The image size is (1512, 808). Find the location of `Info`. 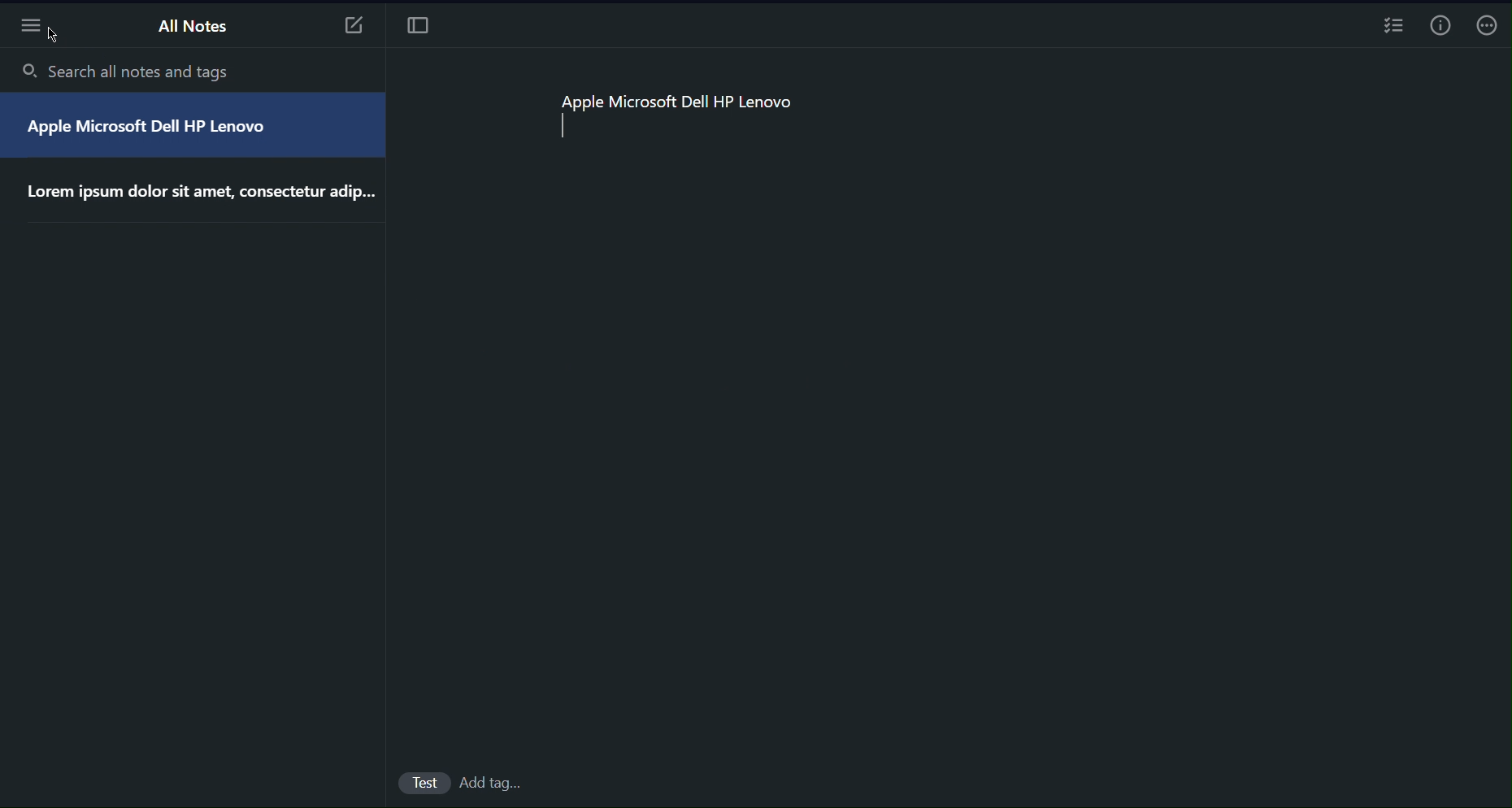

Info is located at coordinates (1440, 24).